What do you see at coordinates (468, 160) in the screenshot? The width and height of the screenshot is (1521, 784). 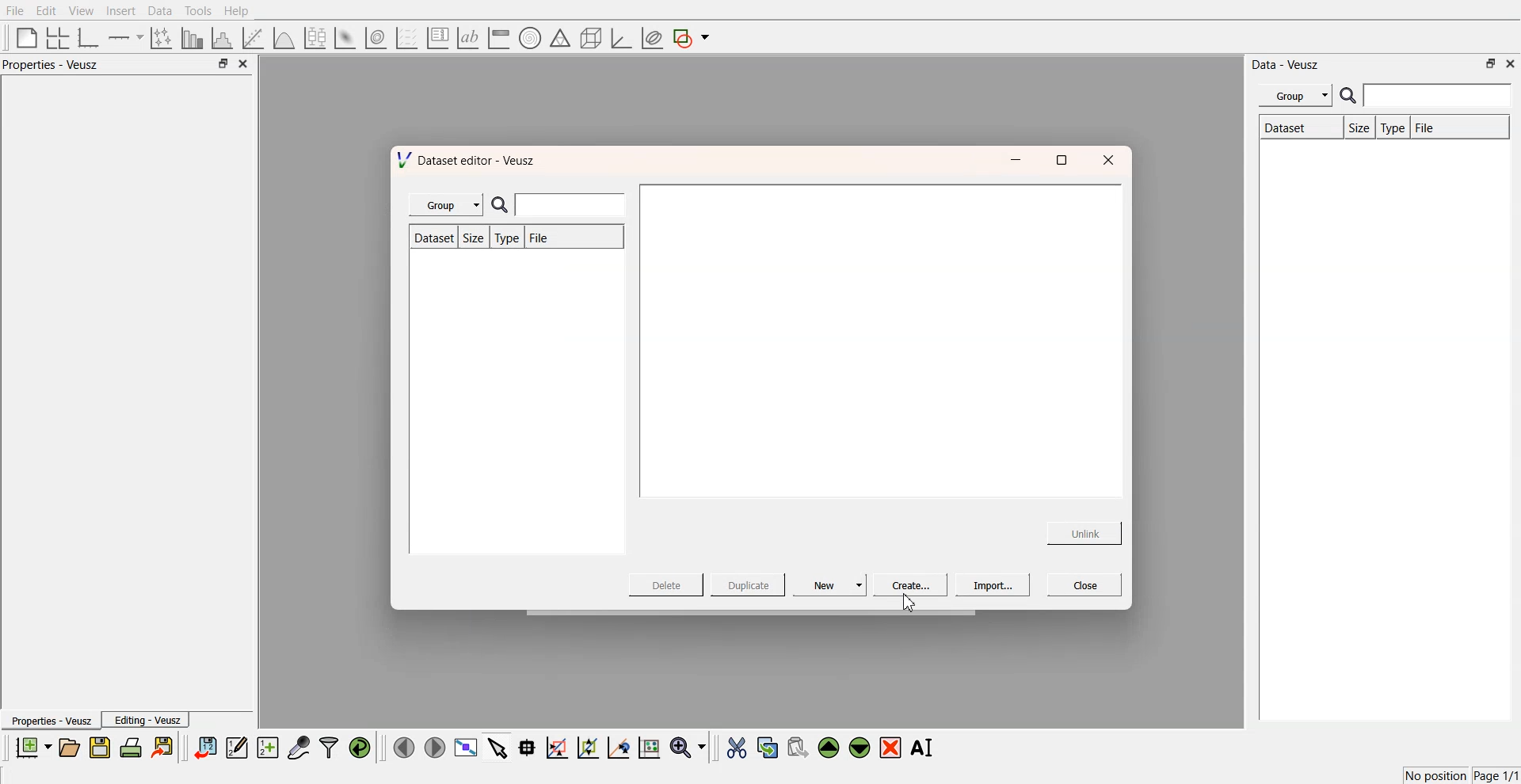 I see `Dataset editor - Veusz` at bounding box center [468, 160].